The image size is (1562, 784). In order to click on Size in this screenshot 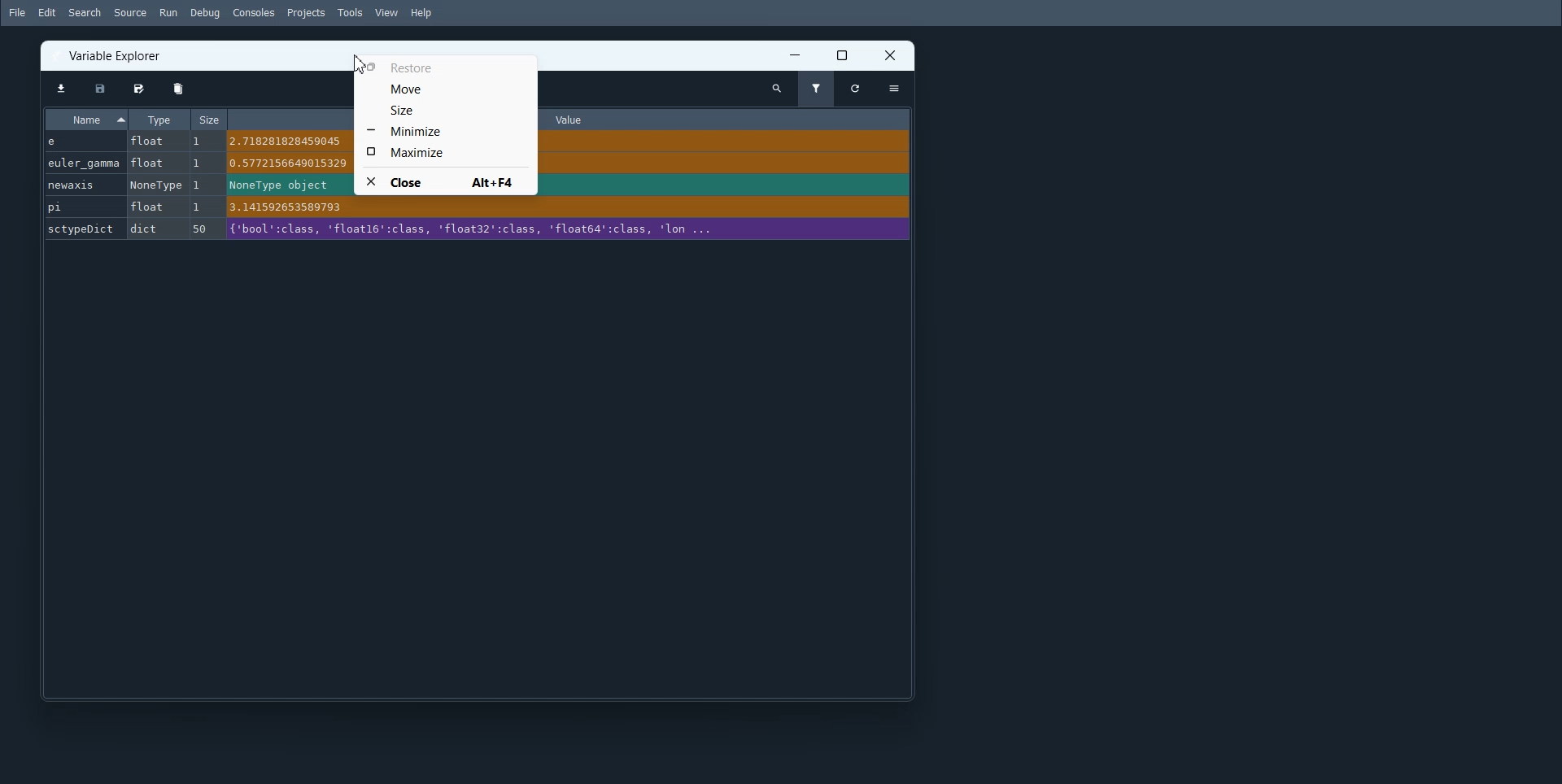, I will do `click(209, 119)`.